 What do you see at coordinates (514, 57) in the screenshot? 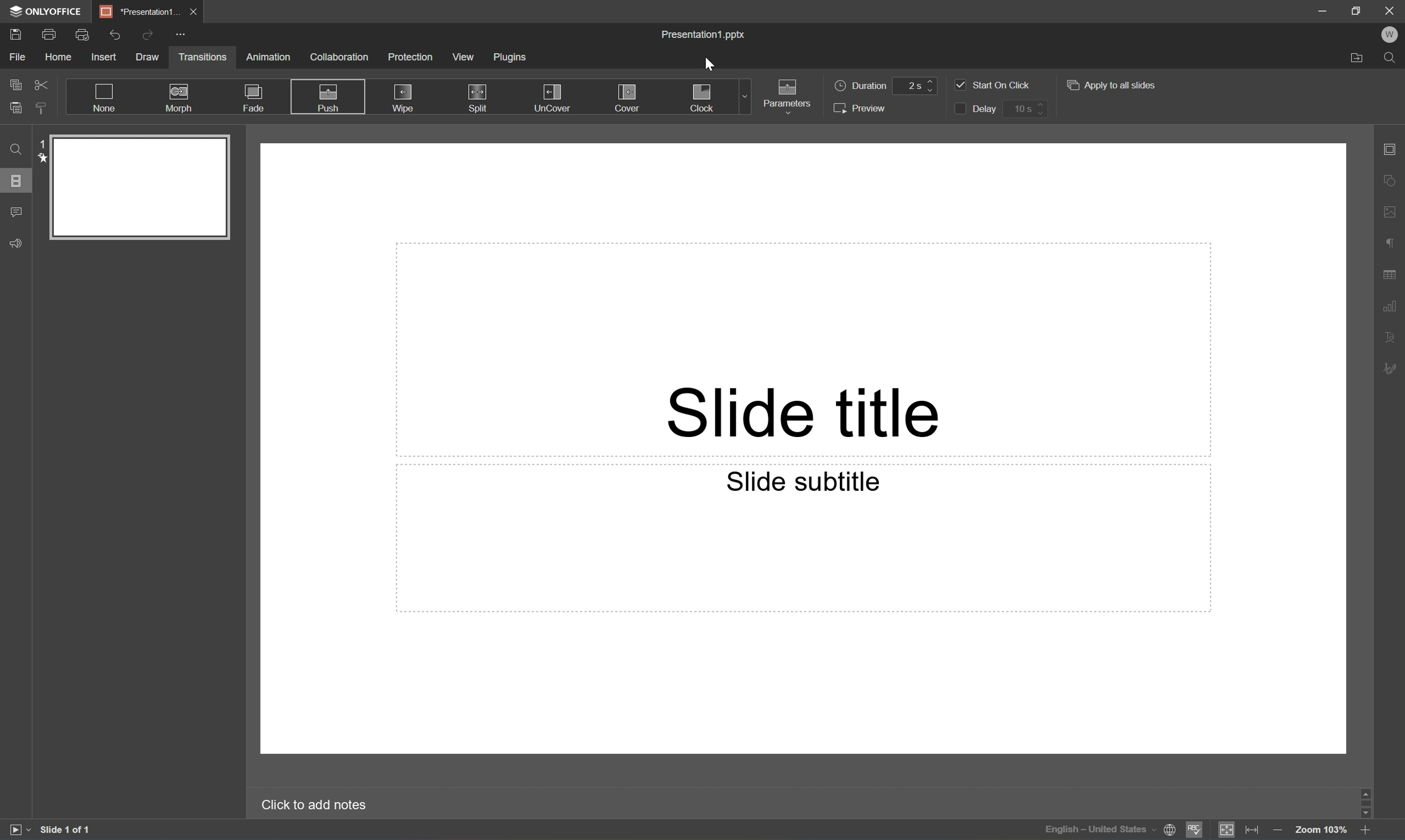
I see `Plugins` at bounding box center [514, 57].